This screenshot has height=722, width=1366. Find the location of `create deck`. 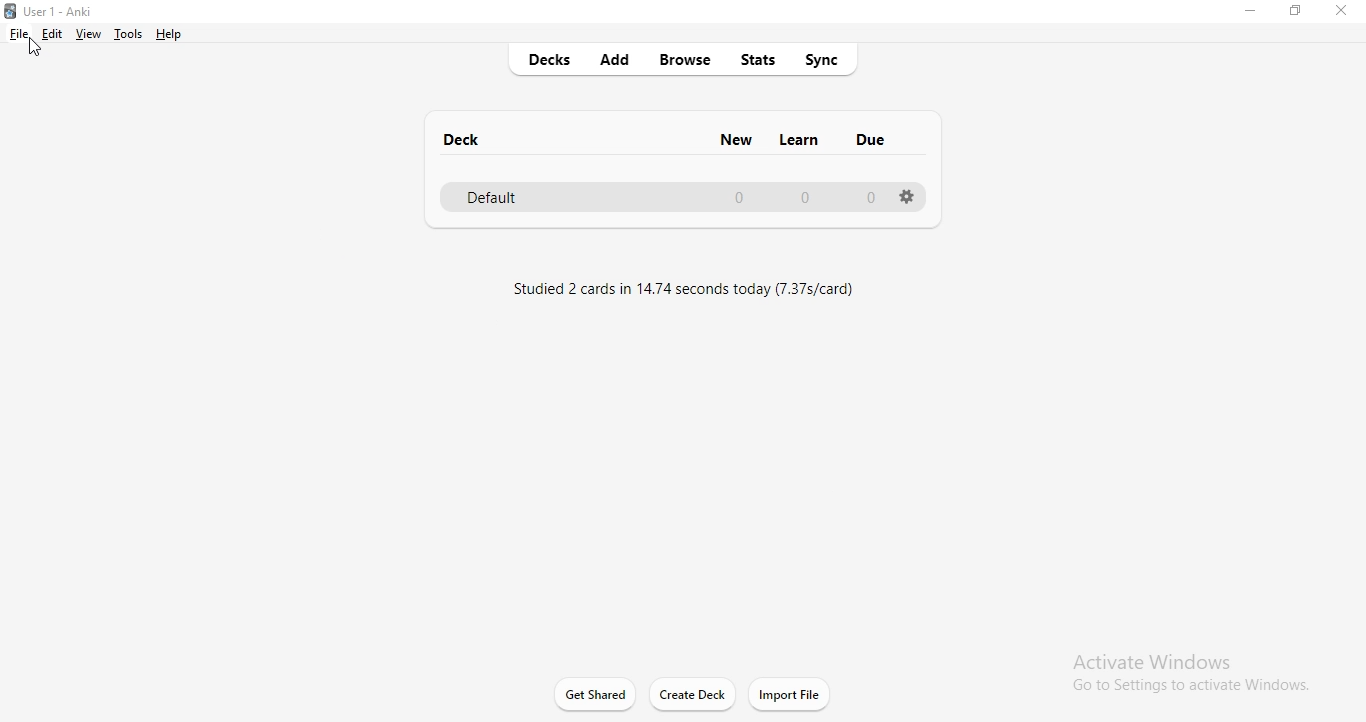

create deck is located at coordinates (694, 694).